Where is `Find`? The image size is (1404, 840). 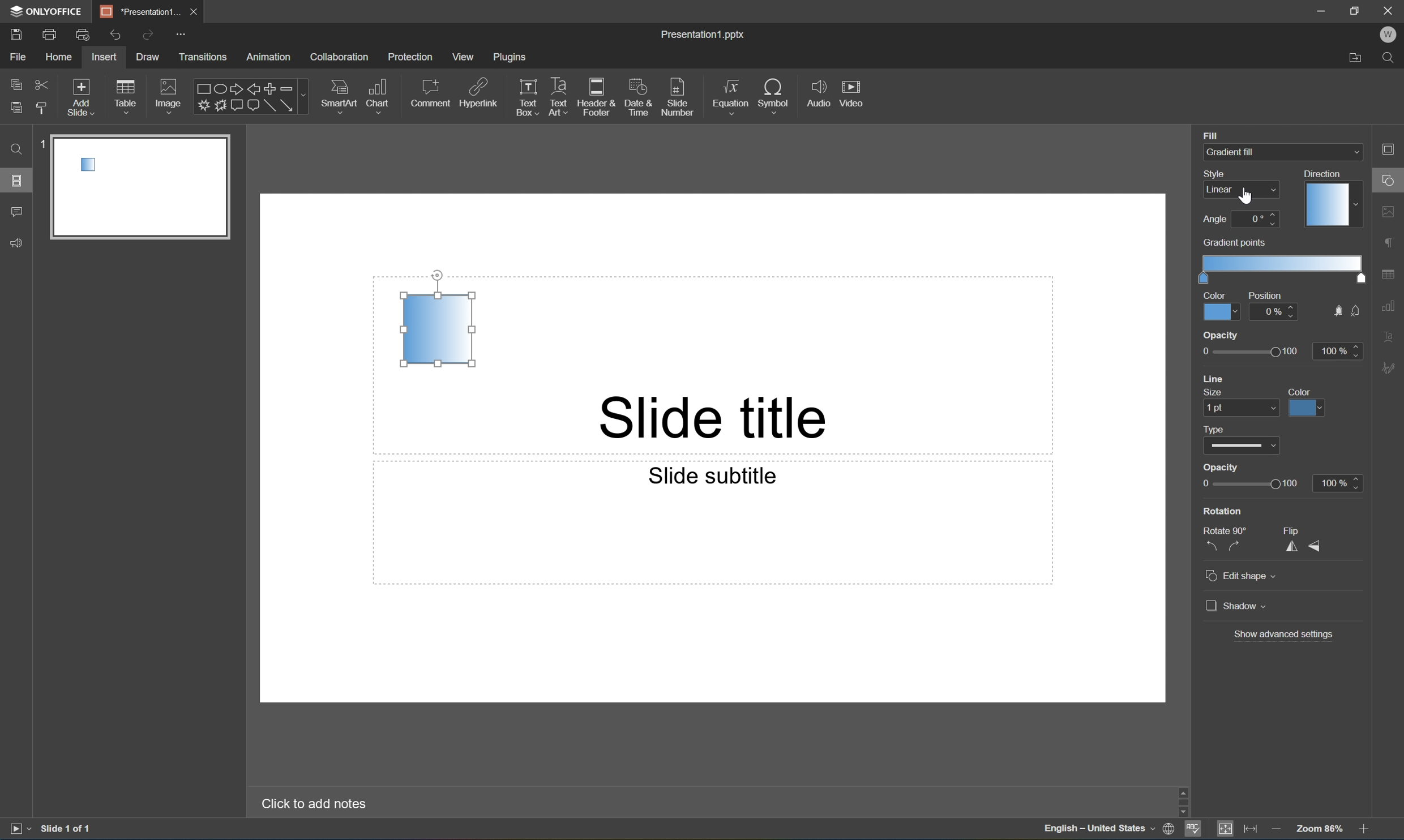
Find is located at coordinates (1391, 59).